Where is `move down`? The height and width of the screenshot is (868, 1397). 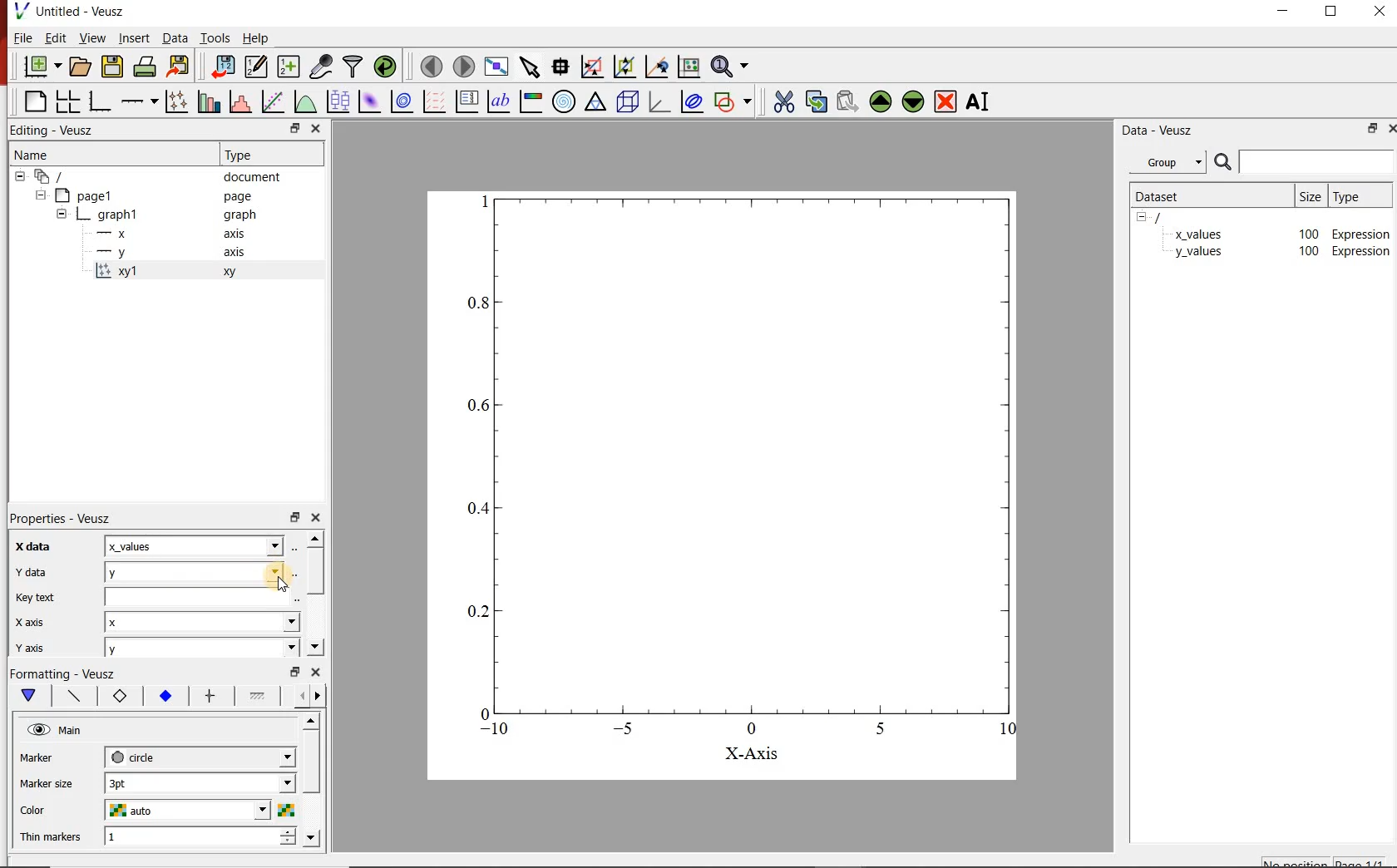
move down is located at coordinates (316, 646).